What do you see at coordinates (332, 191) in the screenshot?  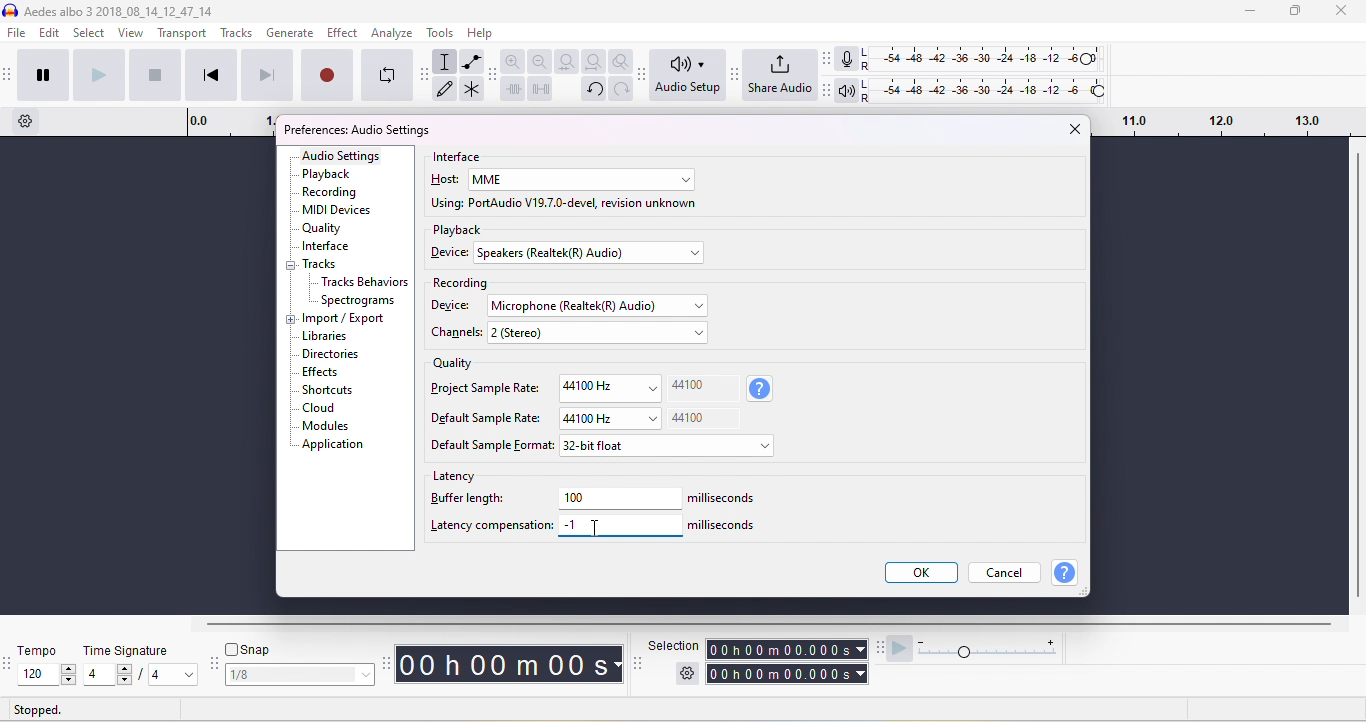 I see `recording` at bounding box center [332, 191].